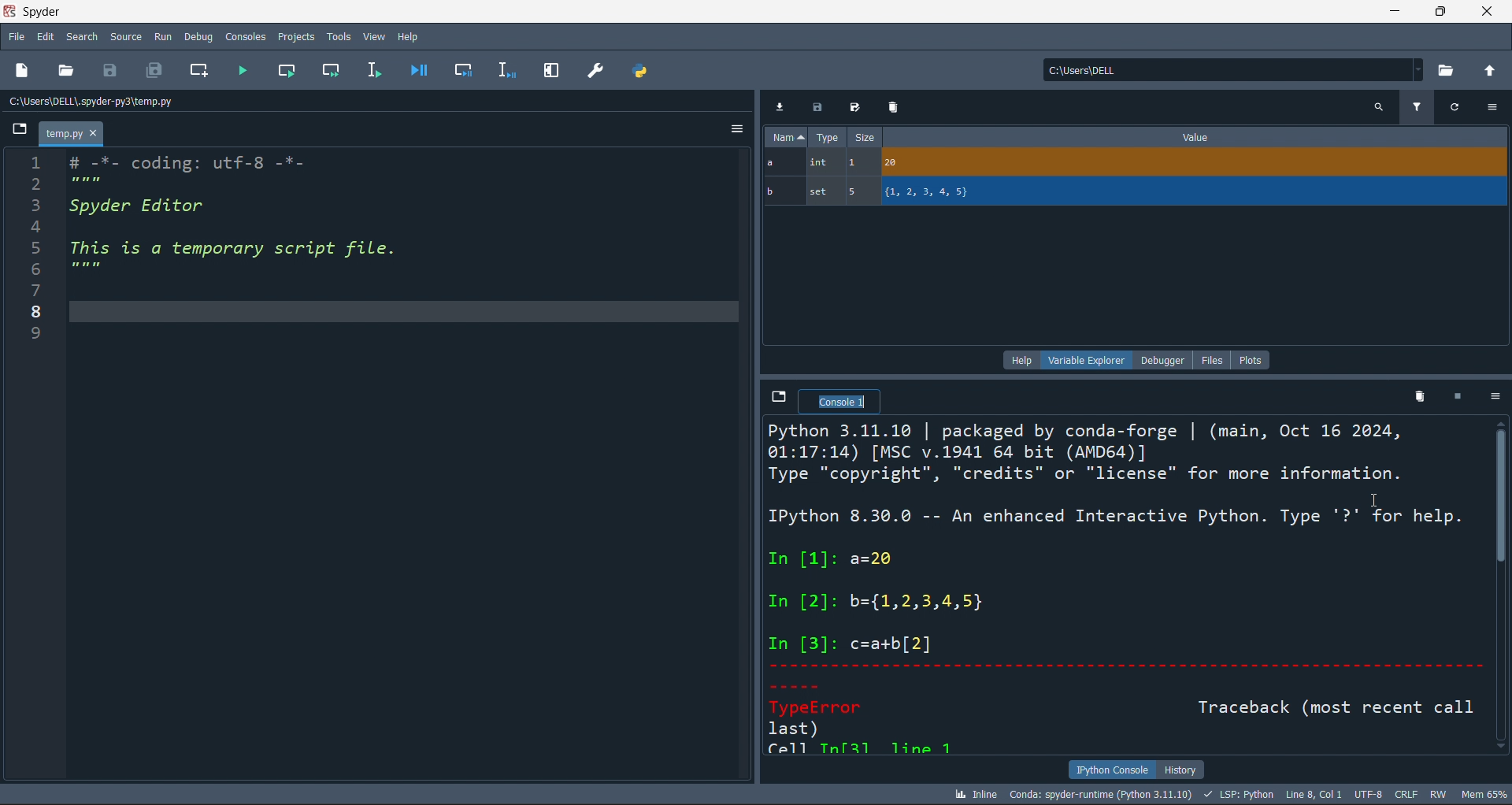 Image resolution: width=1512 pixels, height=805 pixels. I want to click on c:\users\dell\.spyder-py3\temp.py, so click(135, 102).